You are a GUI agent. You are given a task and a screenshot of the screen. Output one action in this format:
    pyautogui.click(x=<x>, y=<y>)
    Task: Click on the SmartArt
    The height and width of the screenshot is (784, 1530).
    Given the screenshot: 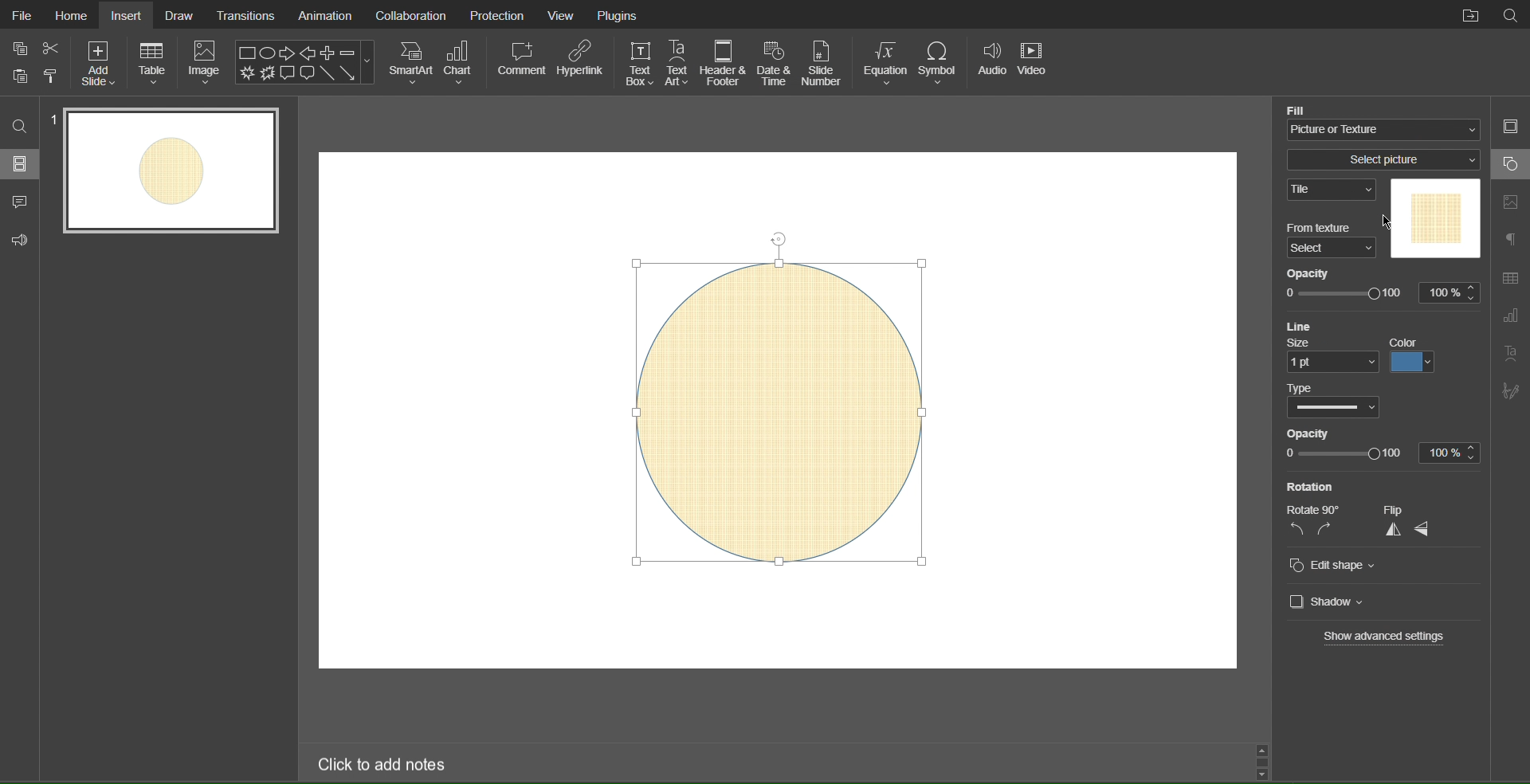 What is the action you would take?
    pyautogui.click(x=410, y=63)
    